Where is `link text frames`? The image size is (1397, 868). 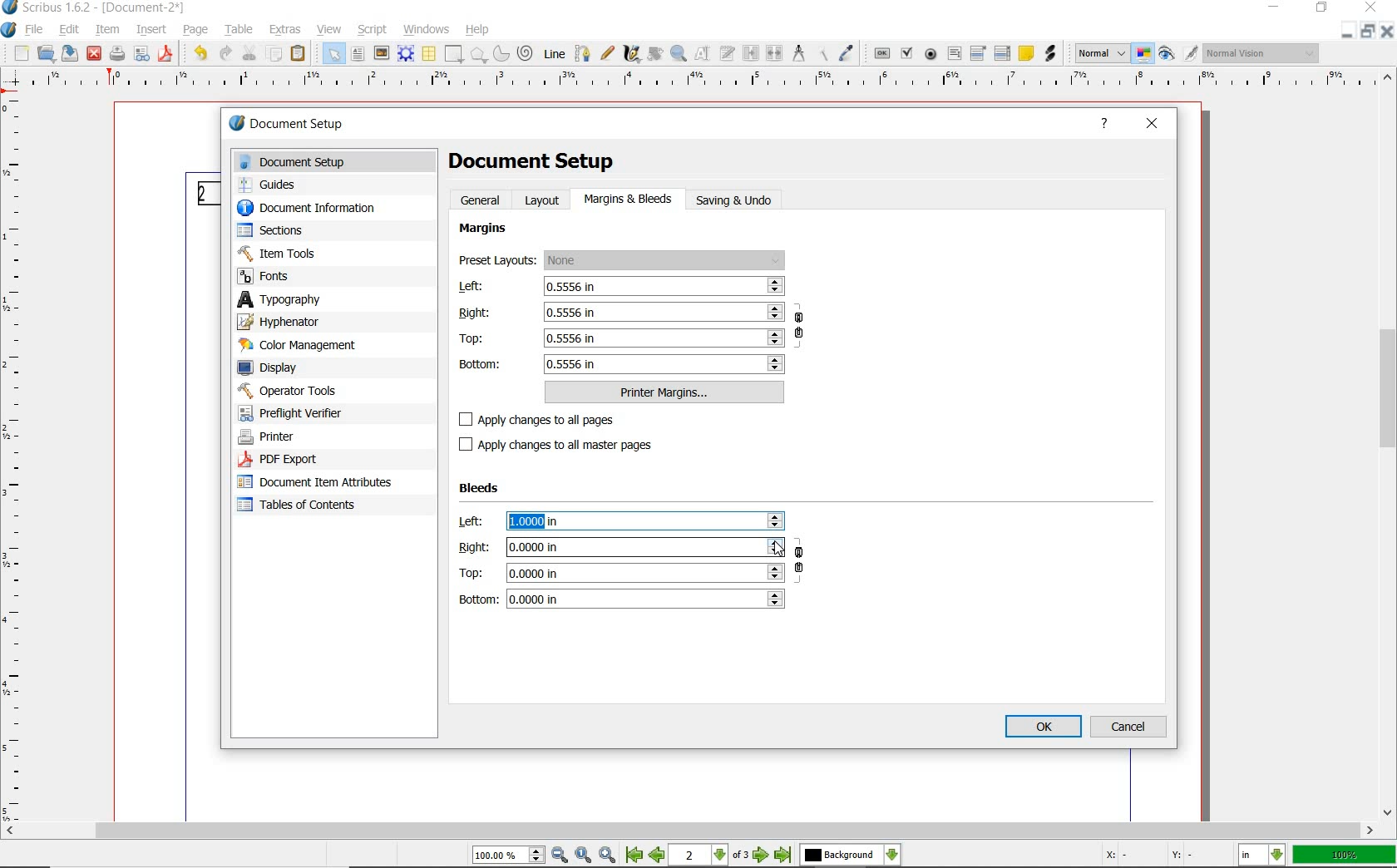
link text frames is located at coordinates (751, 53).